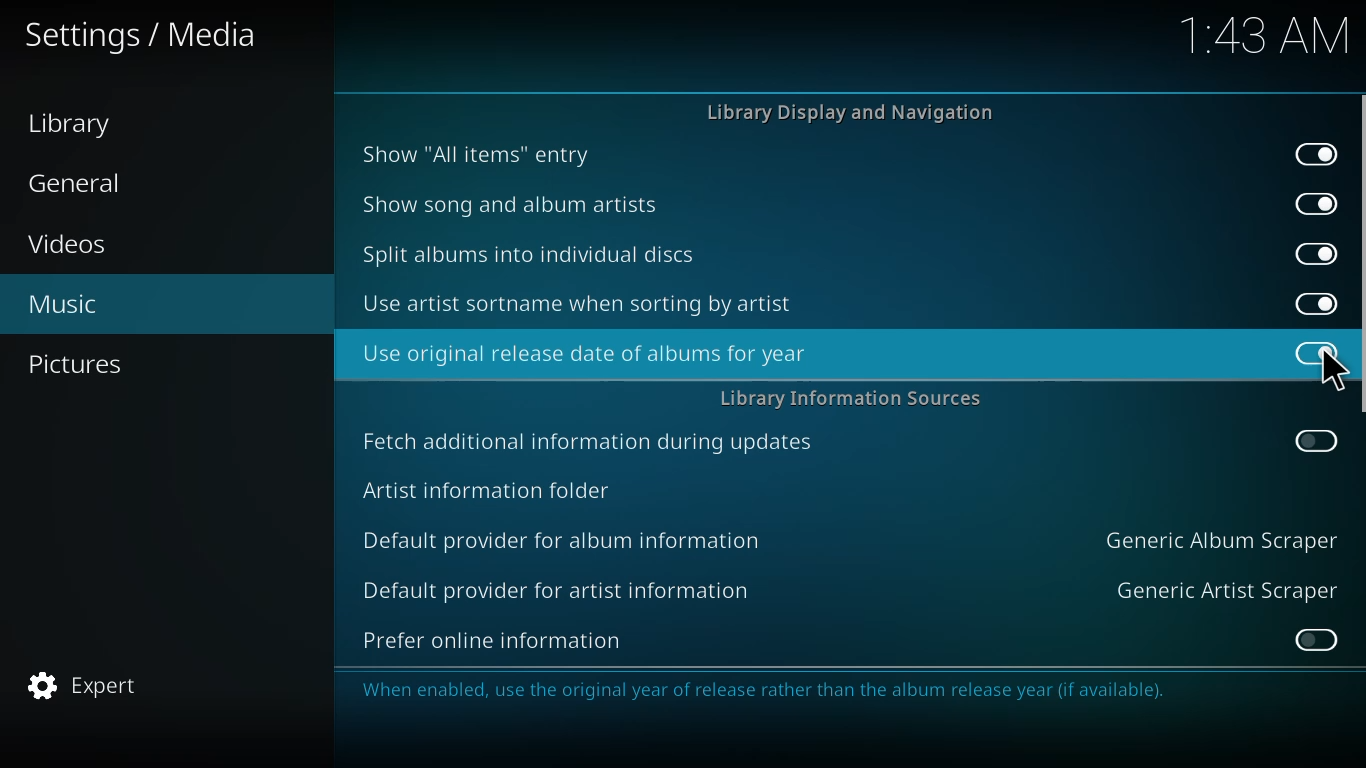 This screenshot has width=1366, height=768. What do you see at coordinates (61, 306) in the screenshot?
I see `music` at bounding box center [61, 306].